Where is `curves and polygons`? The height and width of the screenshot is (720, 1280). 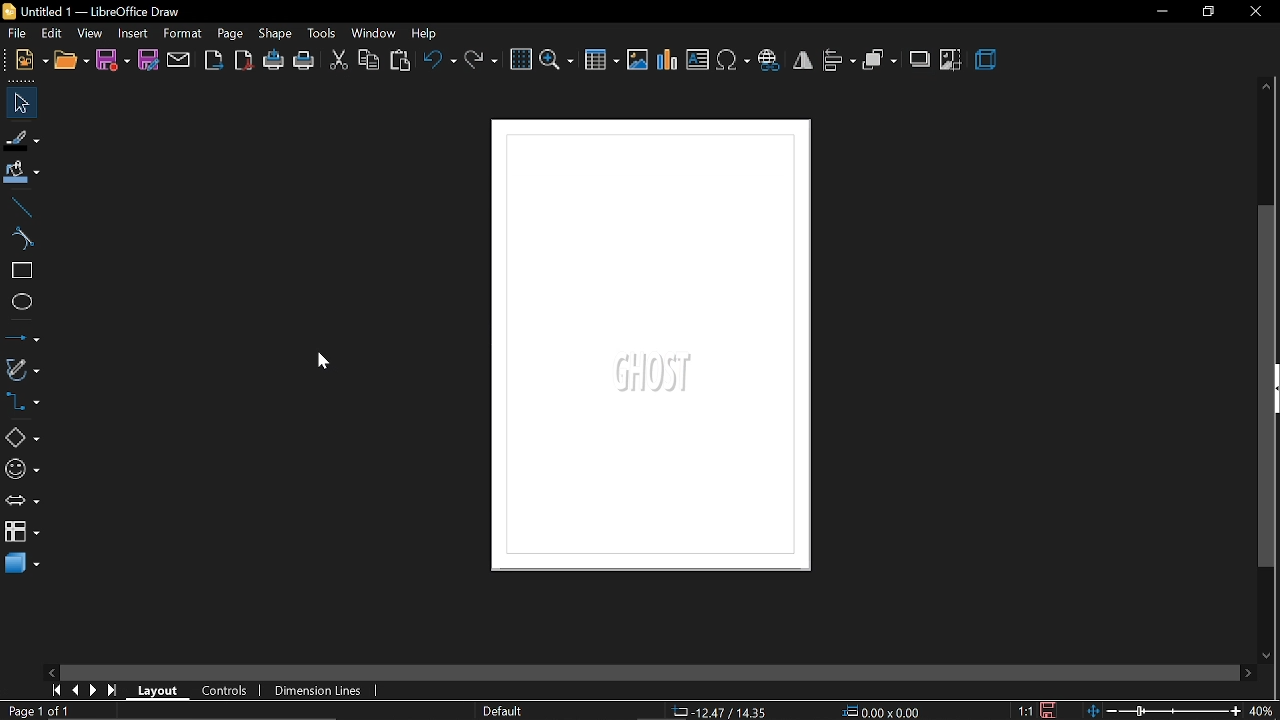
curves and polygons is located at coordinates (22, 368).